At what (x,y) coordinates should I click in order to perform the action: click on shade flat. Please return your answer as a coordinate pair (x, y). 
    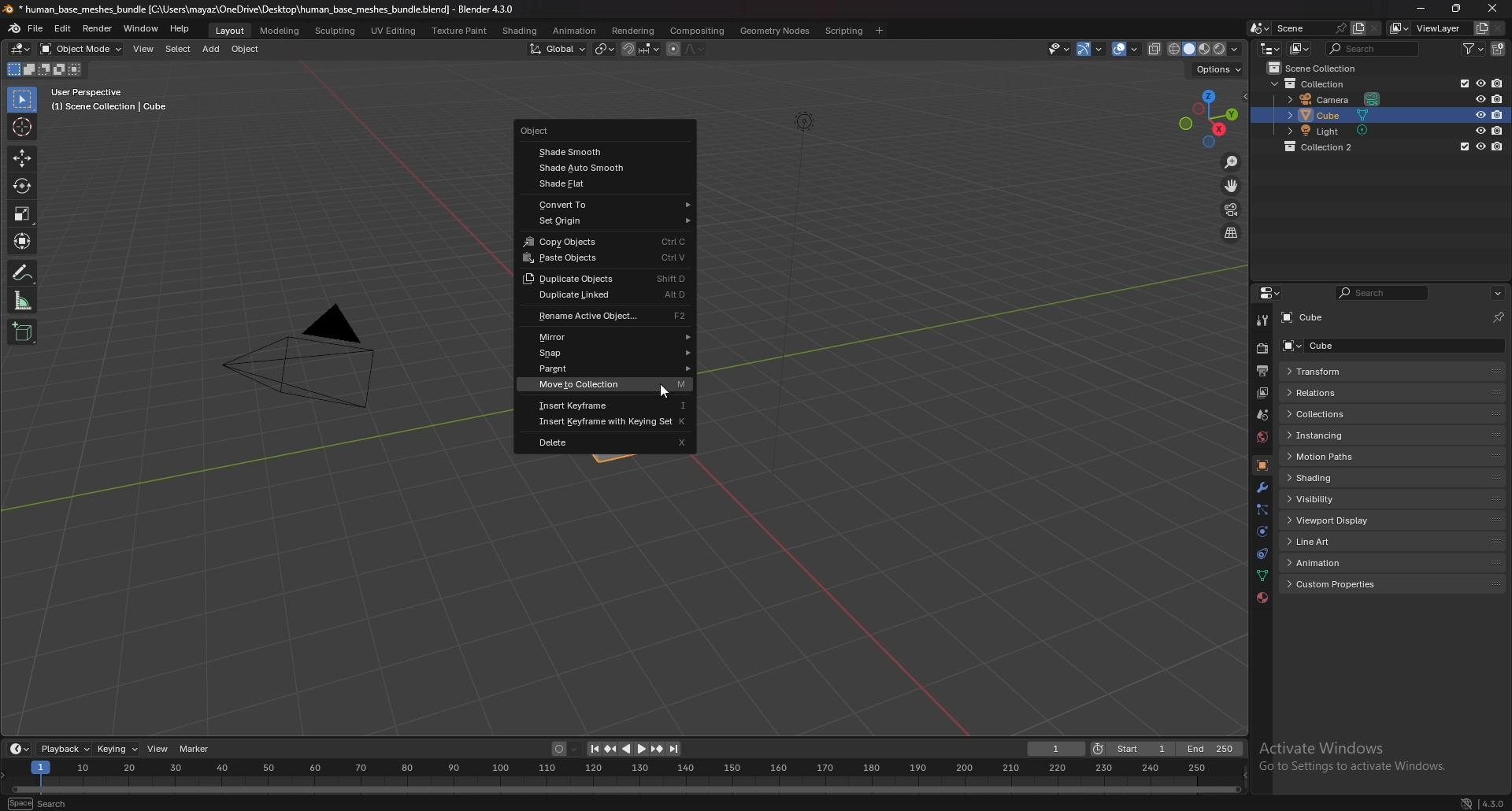
    Looking at the image, I should click on (606, 183).